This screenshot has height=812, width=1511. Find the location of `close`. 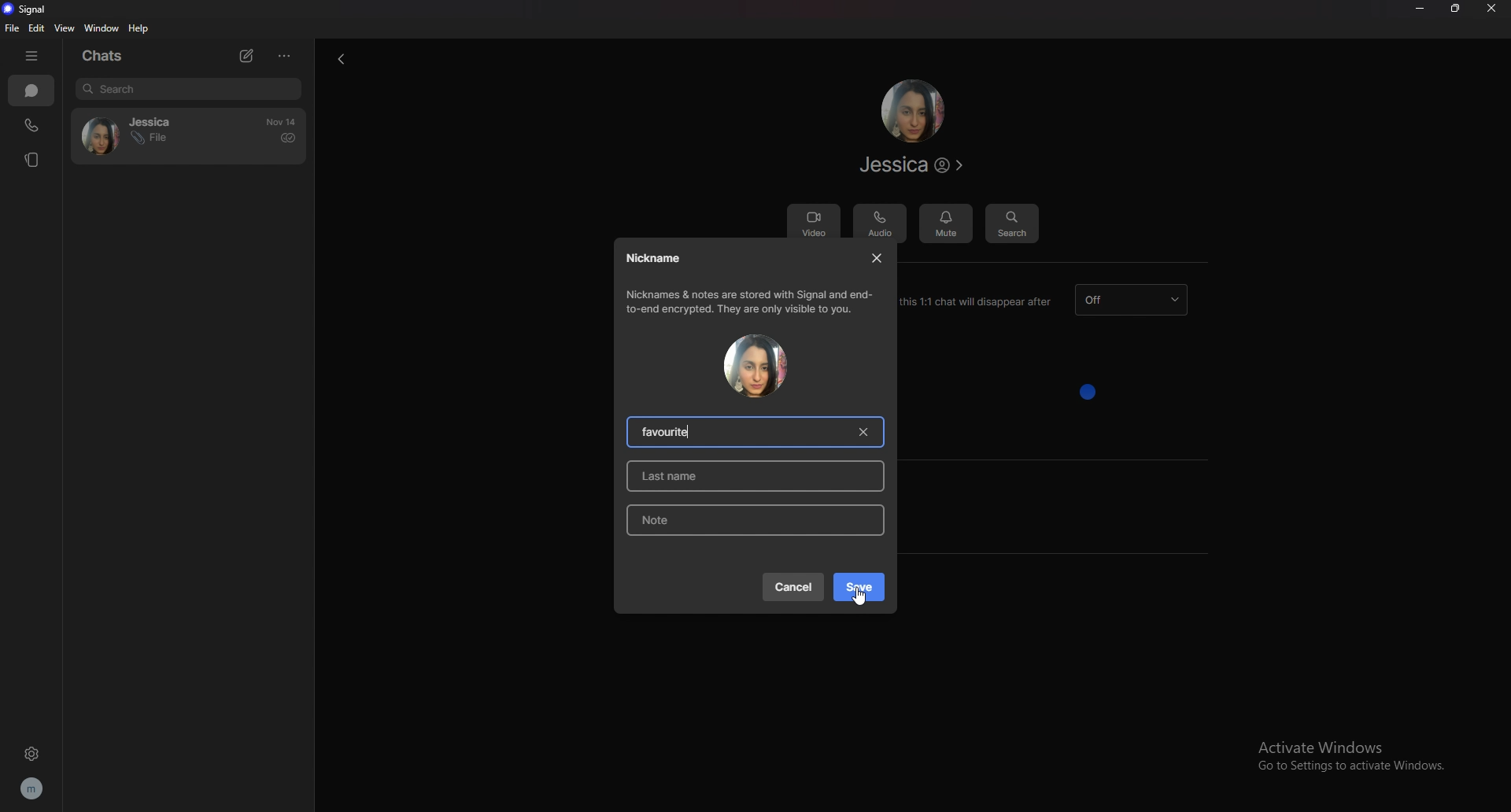

close is located at coordinates (1494, 9).